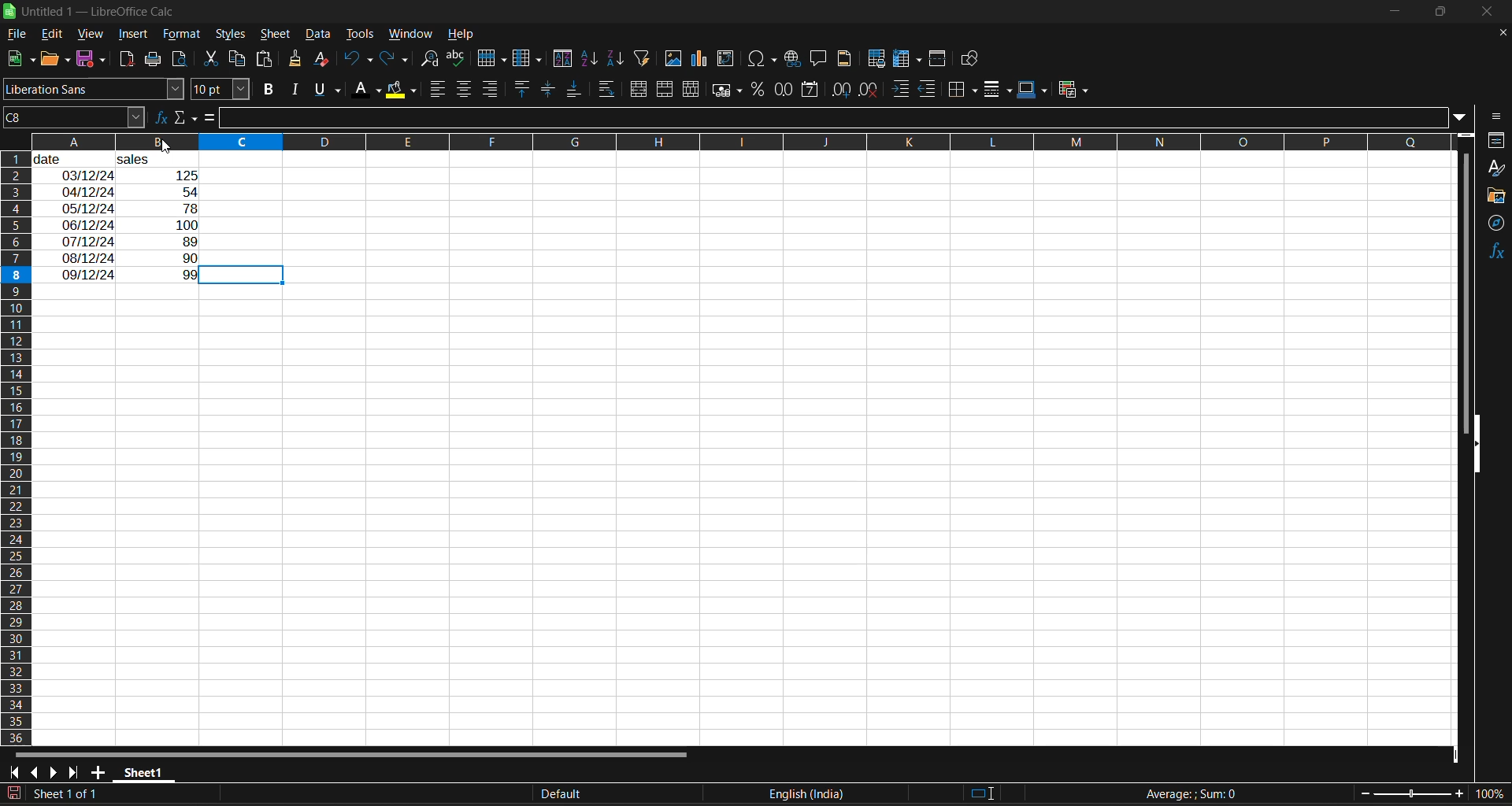 This screenshot has width=1512, height=806. I want to click on sheet, so click(275, 35).